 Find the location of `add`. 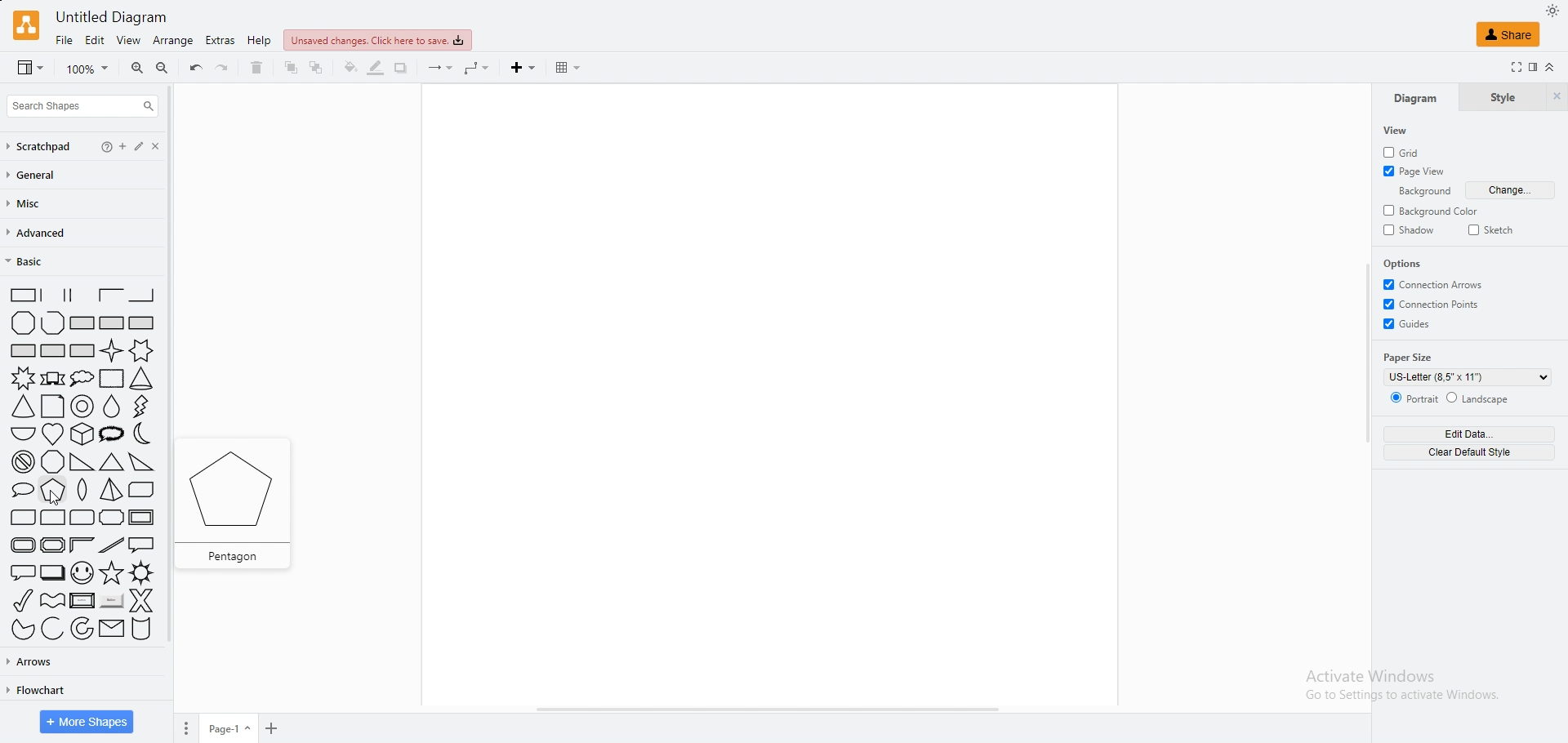

add is located at coordinates (274, 730).